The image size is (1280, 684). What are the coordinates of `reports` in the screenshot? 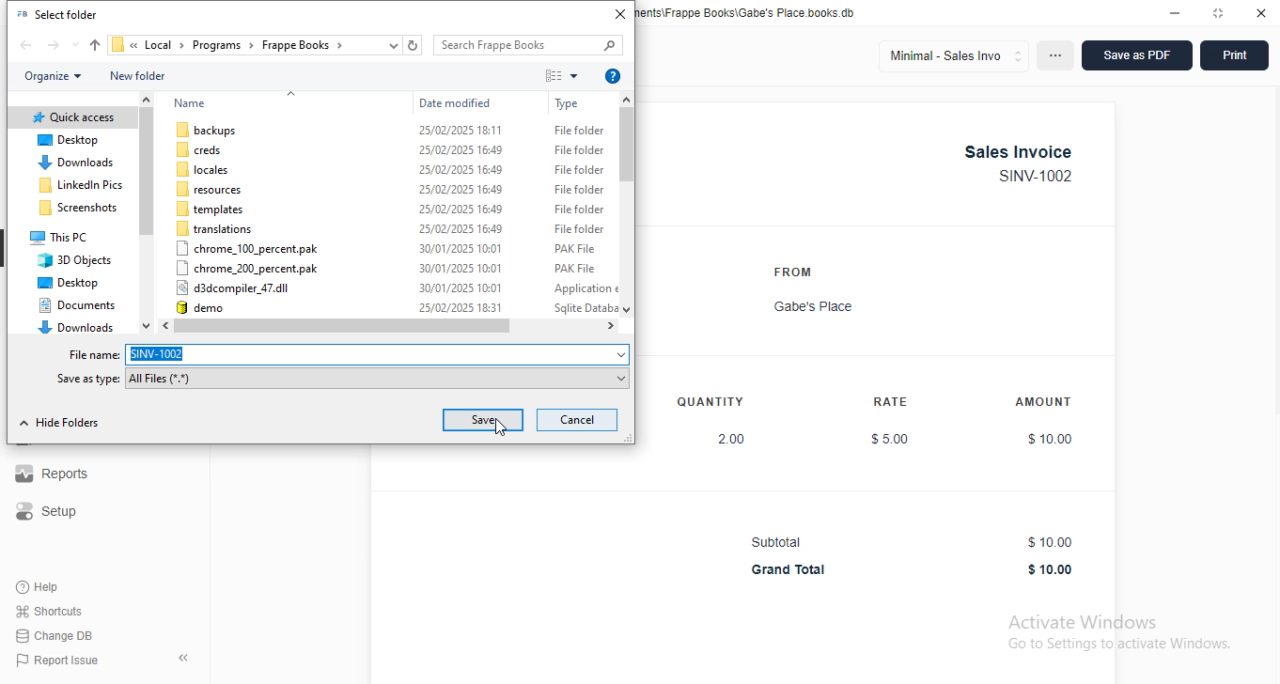 It's located at (51, 474).